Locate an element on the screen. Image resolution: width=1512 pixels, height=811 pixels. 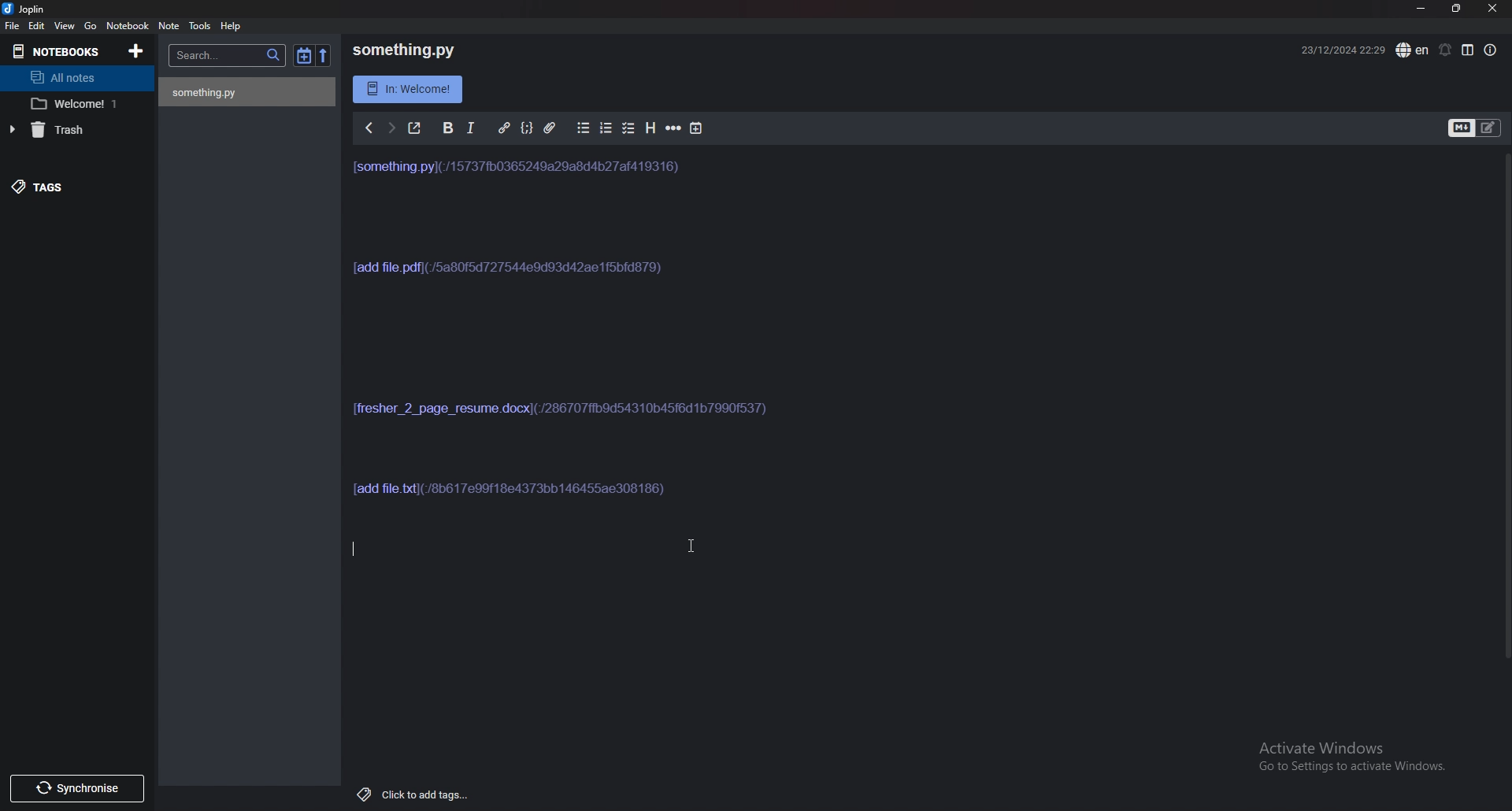
All notes is located at coordinates (69, 78).